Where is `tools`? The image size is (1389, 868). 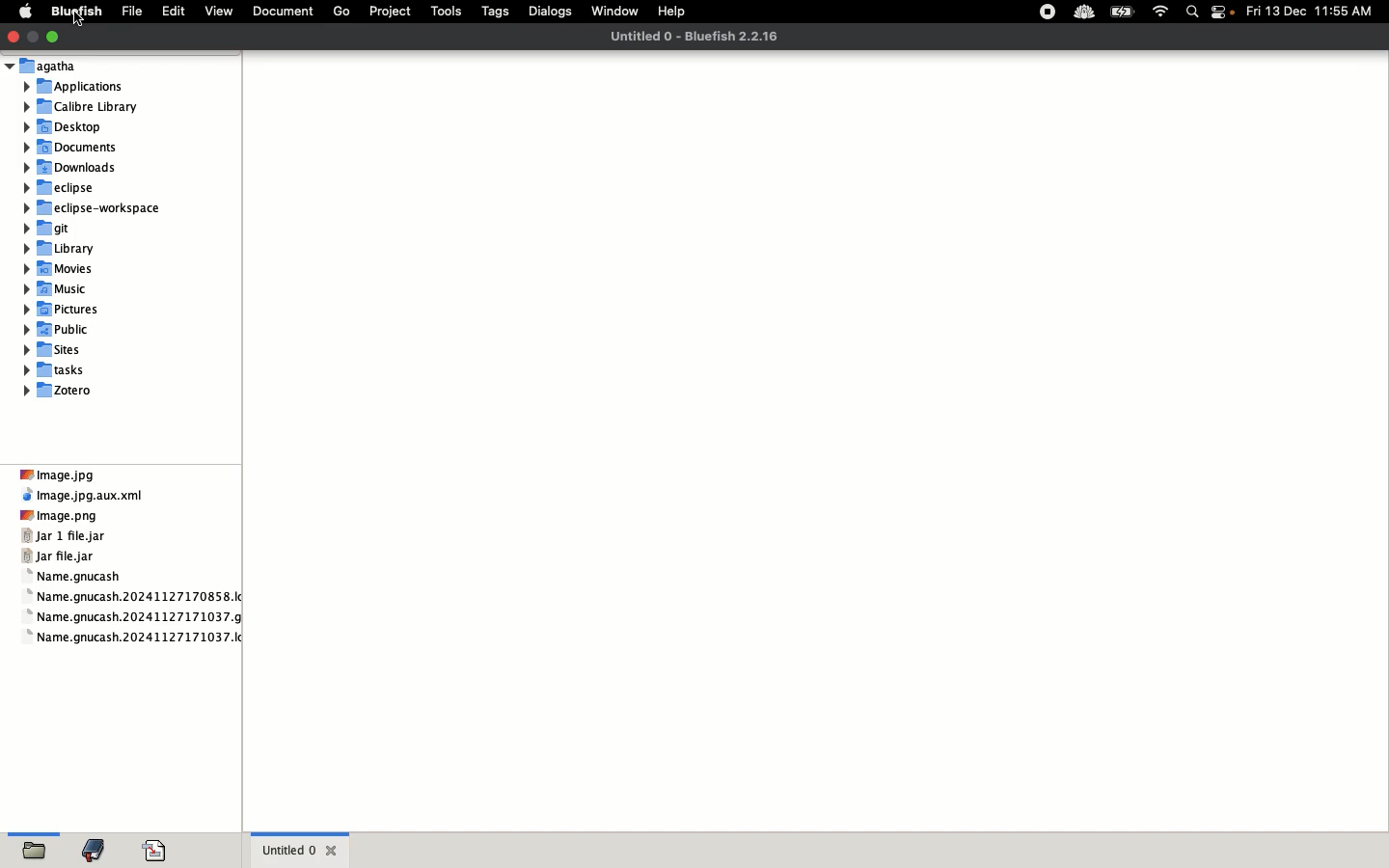 tools is located at coordinates (443, 14).